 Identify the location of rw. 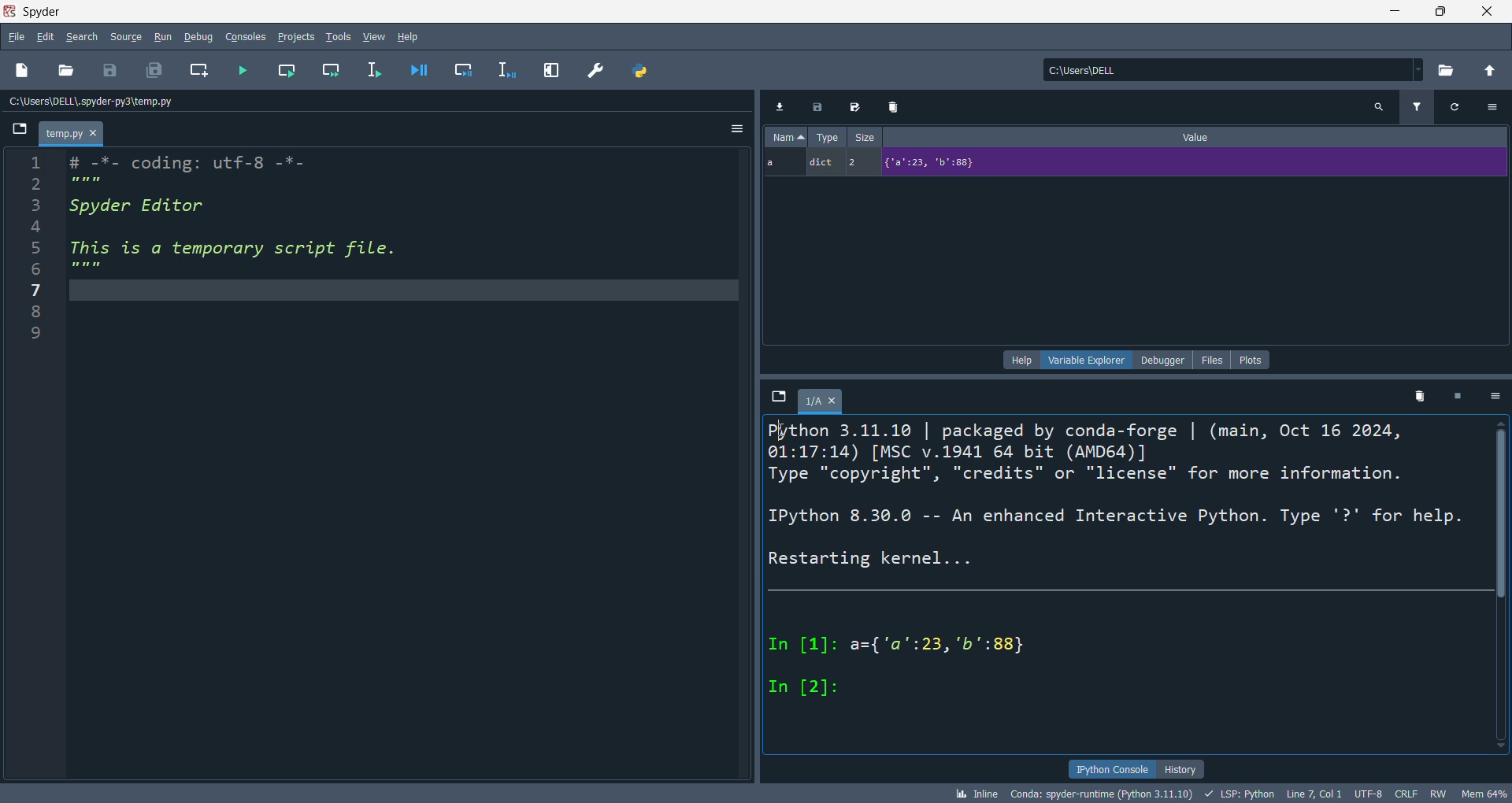
(1437, 793).